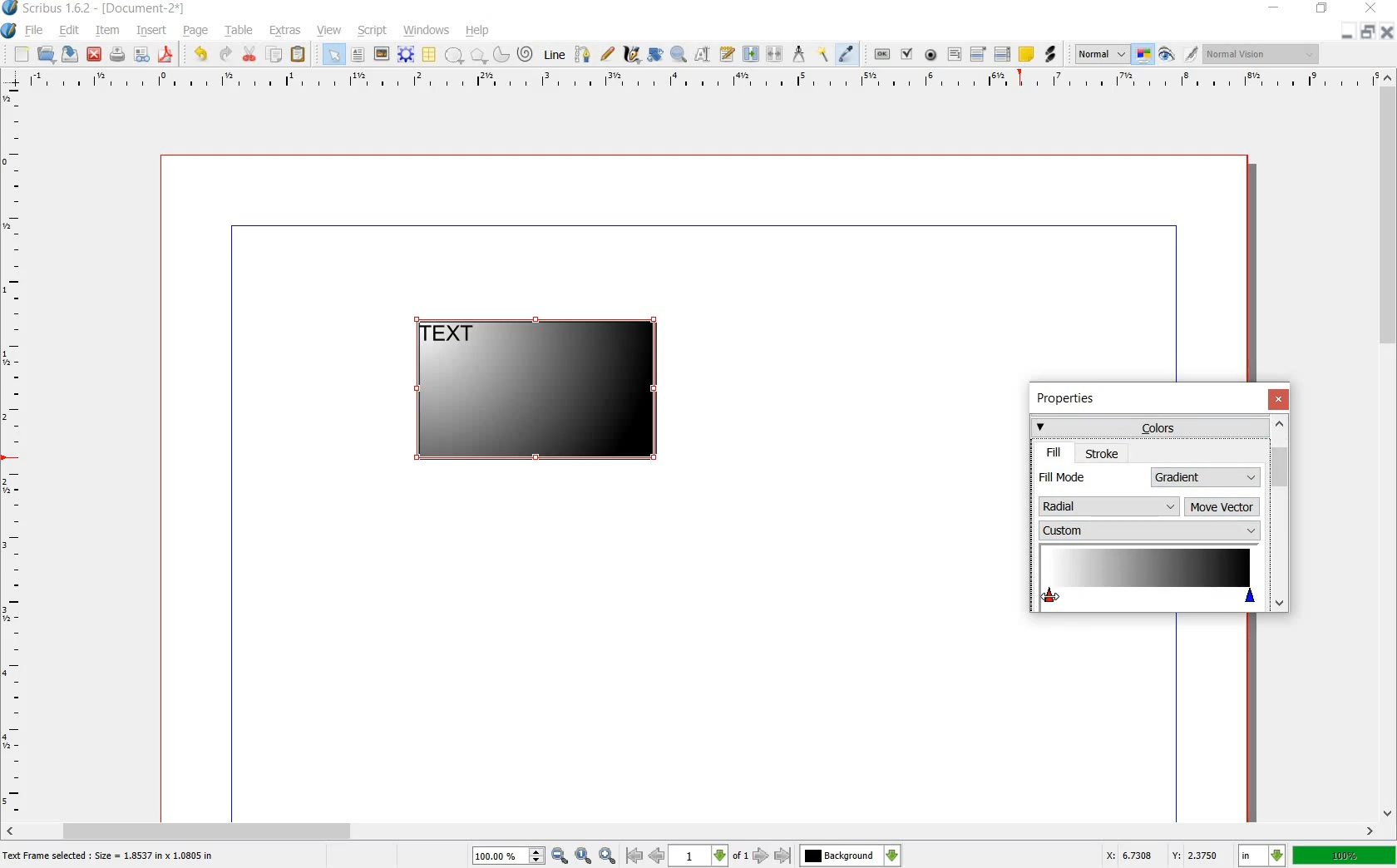 The width and height of the screenshot is (1397, 868). What do you see at coordinates (556, 56) in the screenshot?
I see `line` at bounding box center [556, 56].